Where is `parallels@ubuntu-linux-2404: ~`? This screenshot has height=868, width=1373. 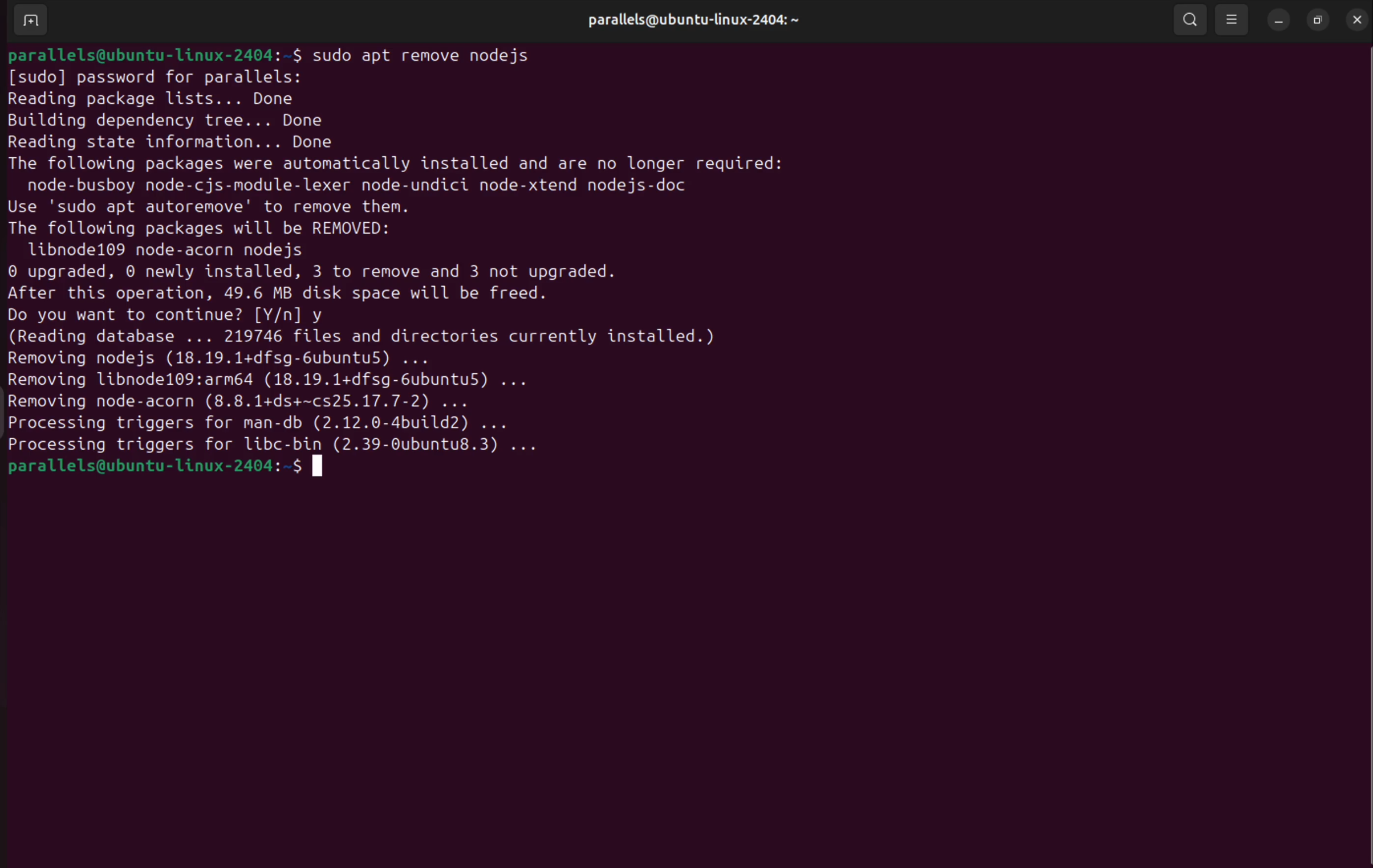 parallels@ubuntu-linux-2404: ~ is located at coordinates (692, 19).